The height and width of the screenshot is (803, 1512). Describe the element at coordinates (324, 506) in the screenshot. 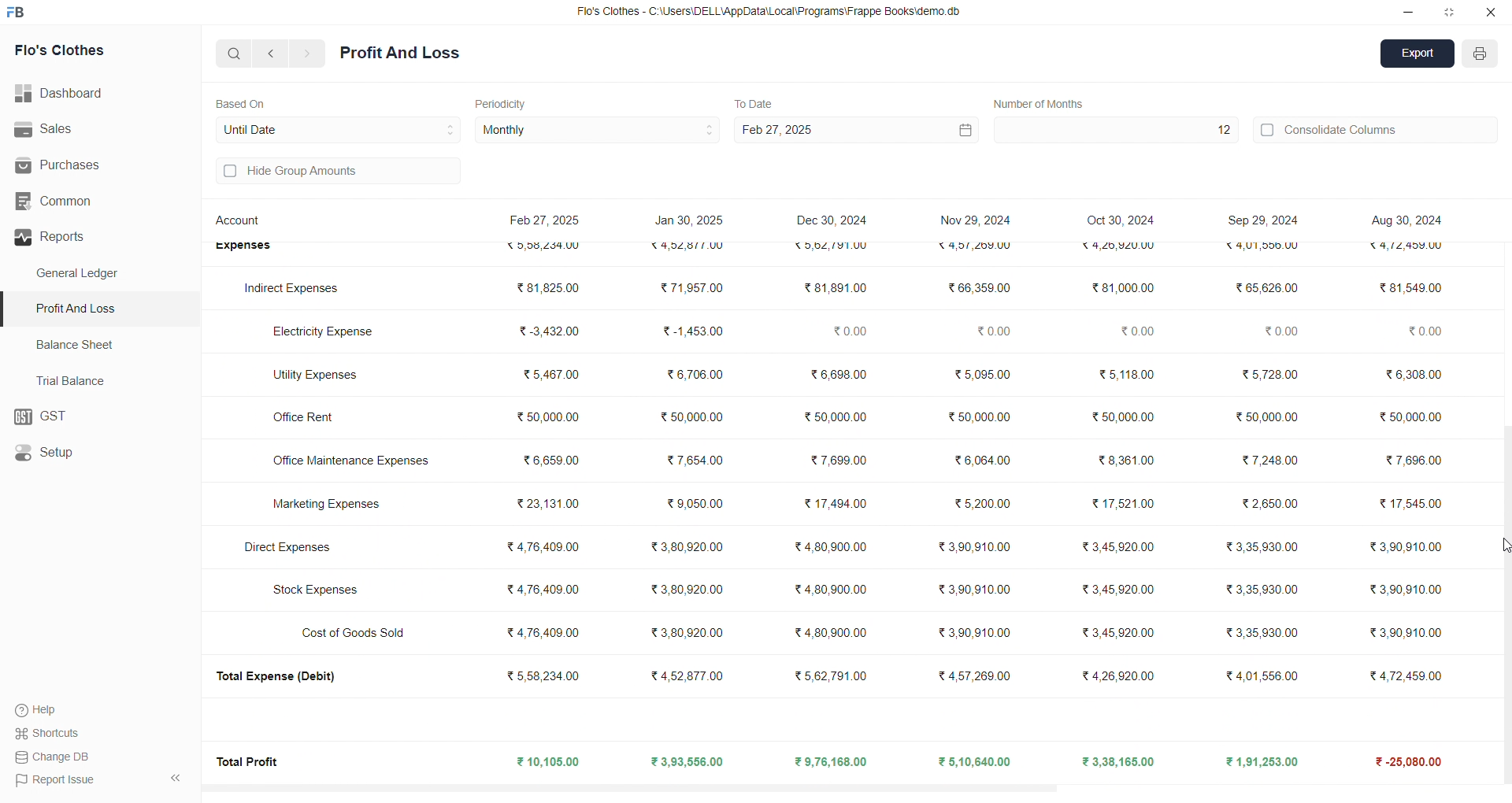

I see `Marketing Expenses` at that location.